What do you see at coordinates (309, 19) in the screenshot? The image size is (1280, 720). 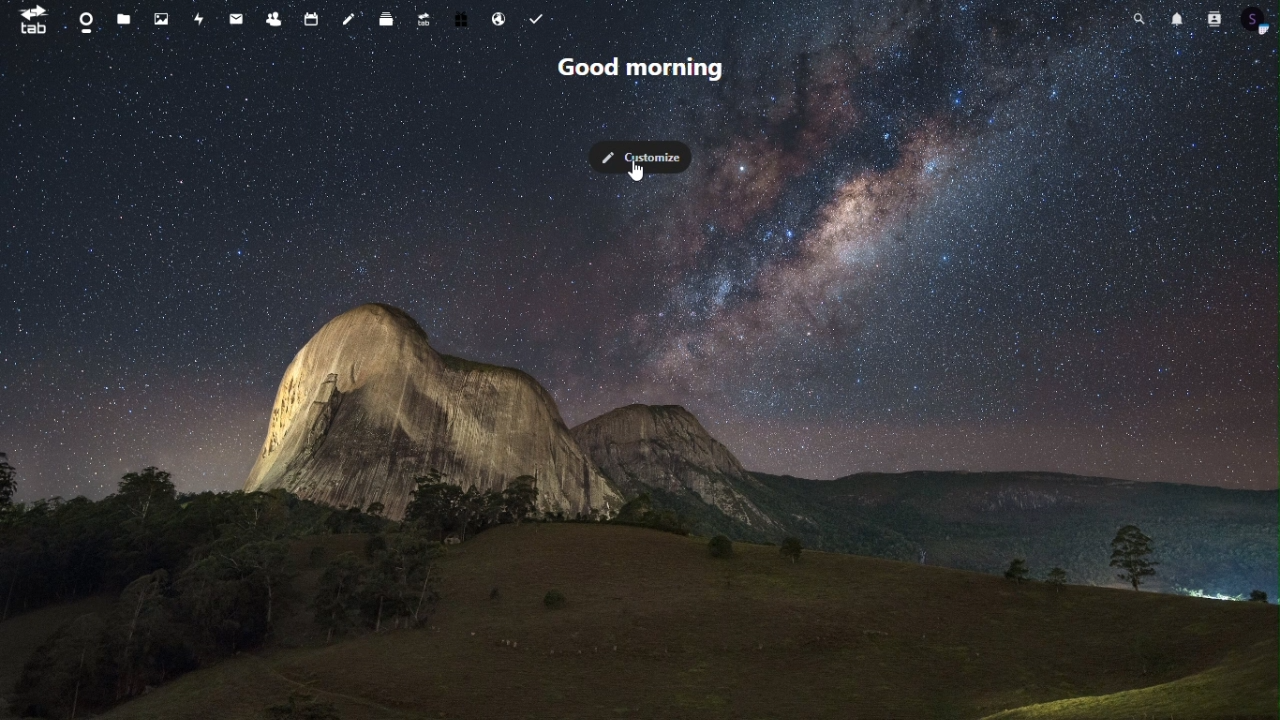 I see `calendar` at bounding box center [309, 19].